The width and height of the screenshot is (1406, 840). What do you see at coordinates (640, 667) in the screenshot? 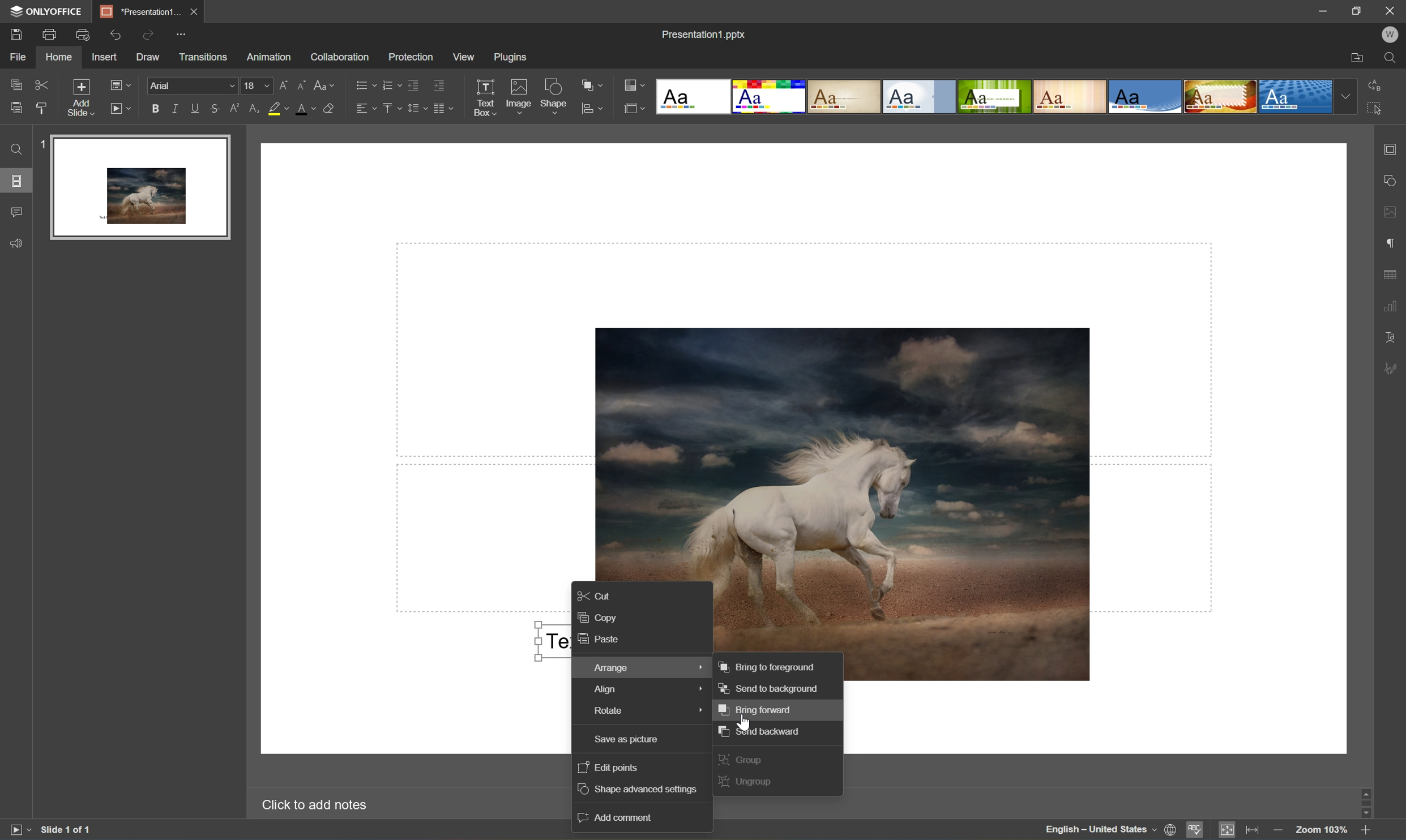
I see `Arrange` at bounding box center [640, 667].